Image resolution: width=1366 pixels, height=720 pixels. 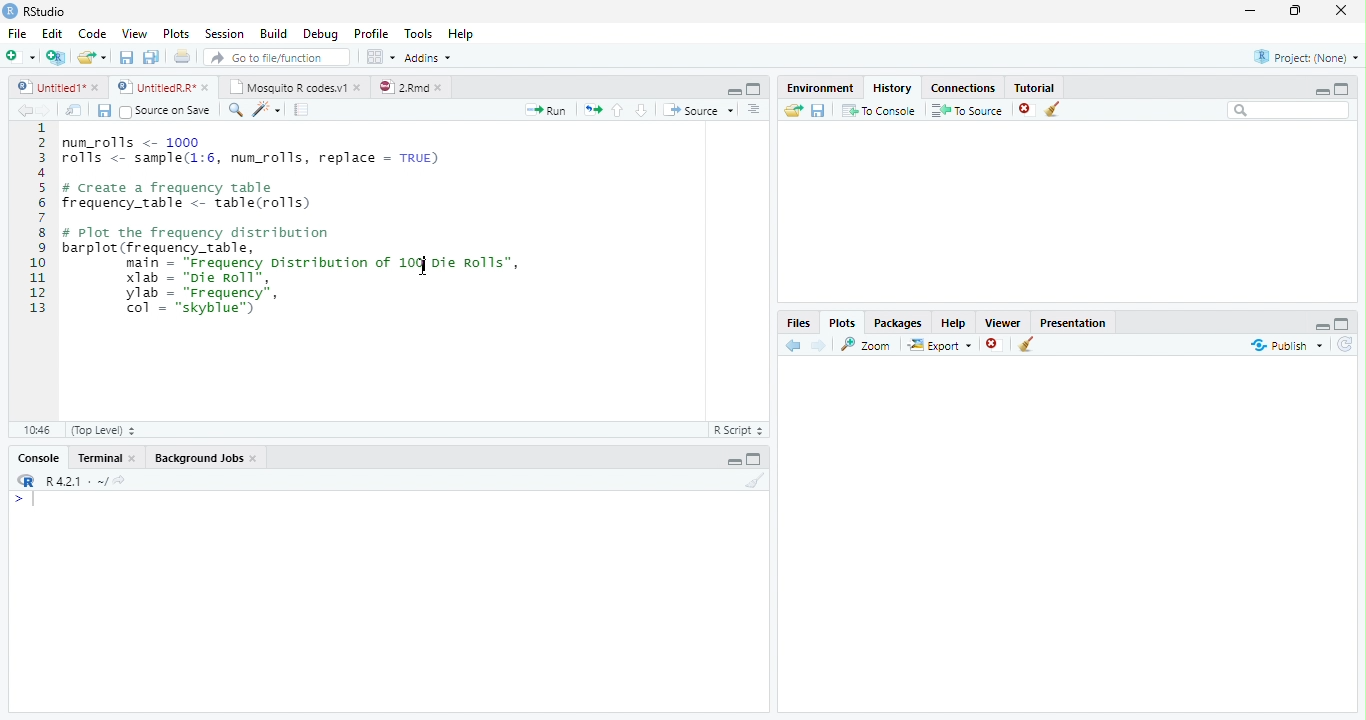 What do you see at coordinates (38, 457) in the screenshot?
I see `Console` at bounding box center [38, 457].